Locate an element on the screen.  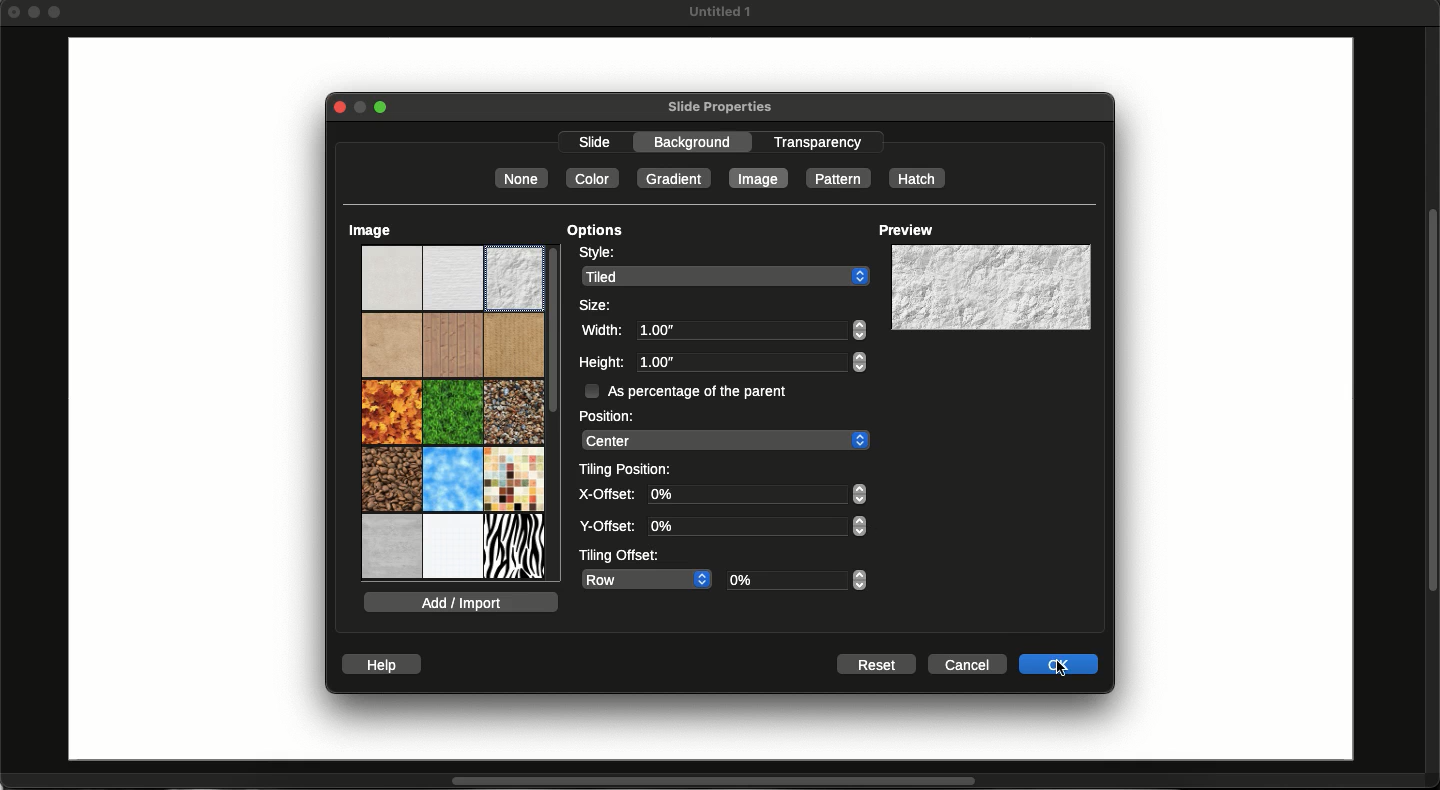
Close is located at coordinates (14, 11).